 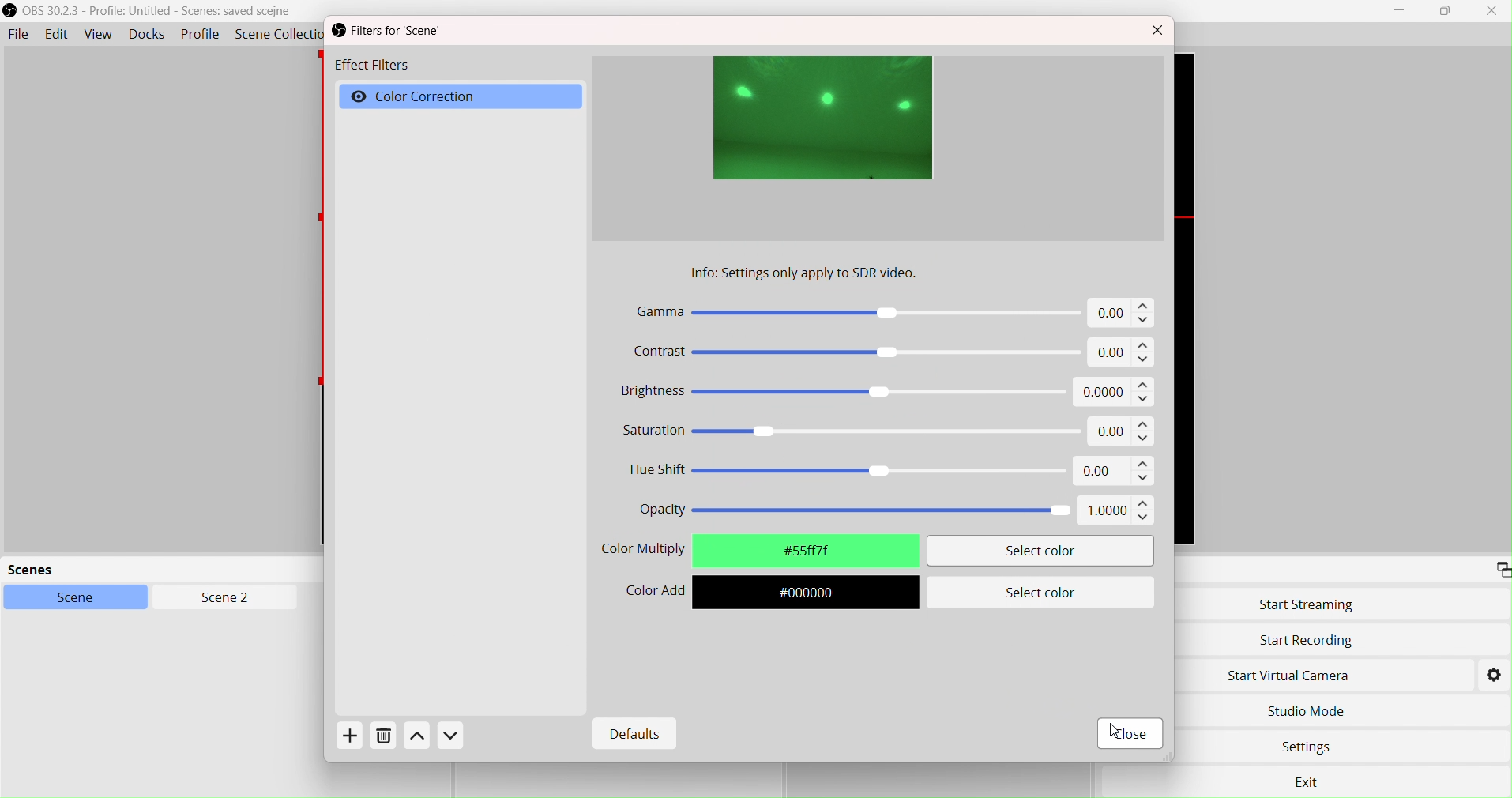 What do you see at coordinates (401, 31) in the screenshot?
I see `Filters` at bounding box center [401, 31].